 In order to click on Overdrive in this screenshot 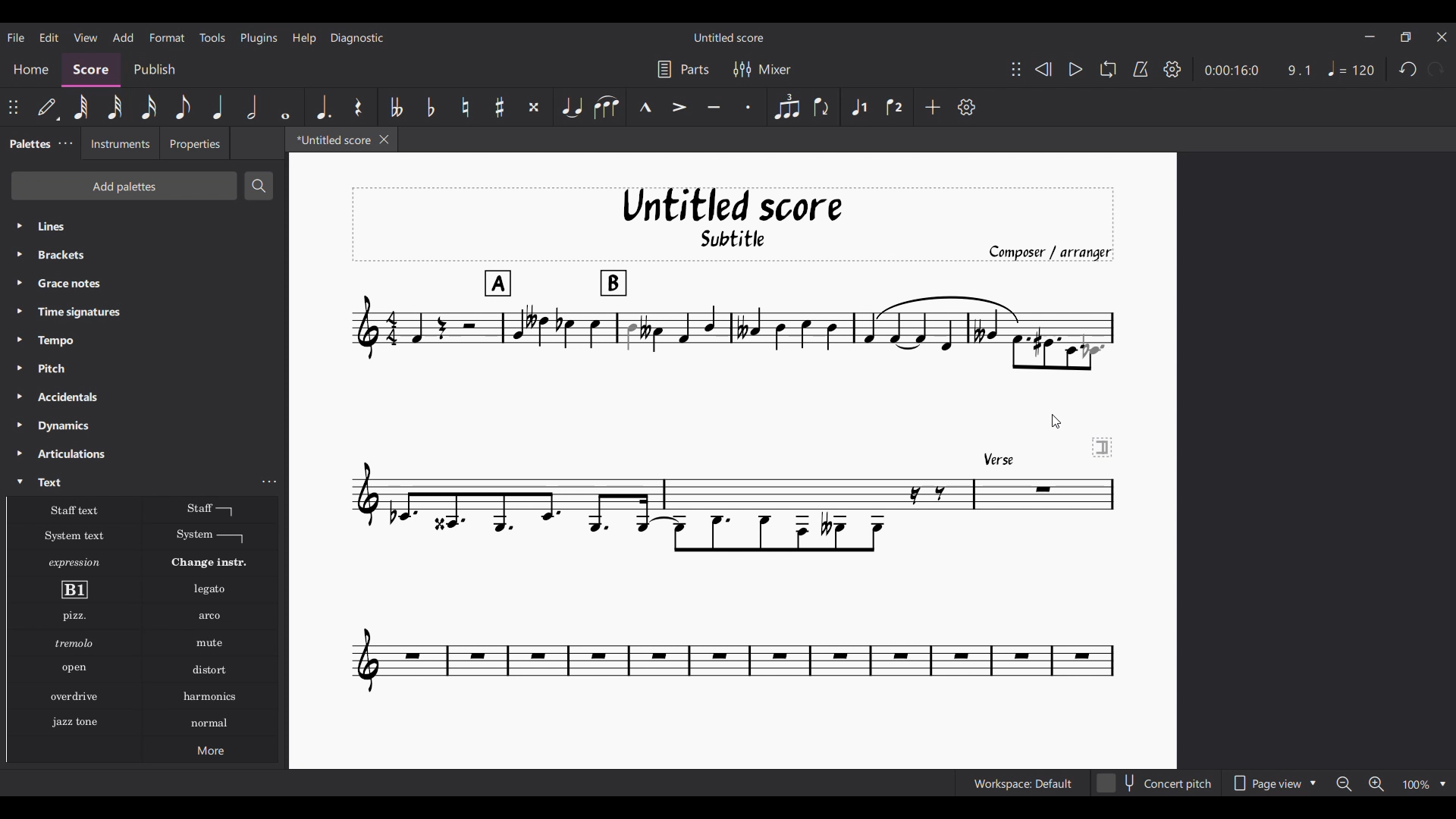, I will do `click(74, 696)`.